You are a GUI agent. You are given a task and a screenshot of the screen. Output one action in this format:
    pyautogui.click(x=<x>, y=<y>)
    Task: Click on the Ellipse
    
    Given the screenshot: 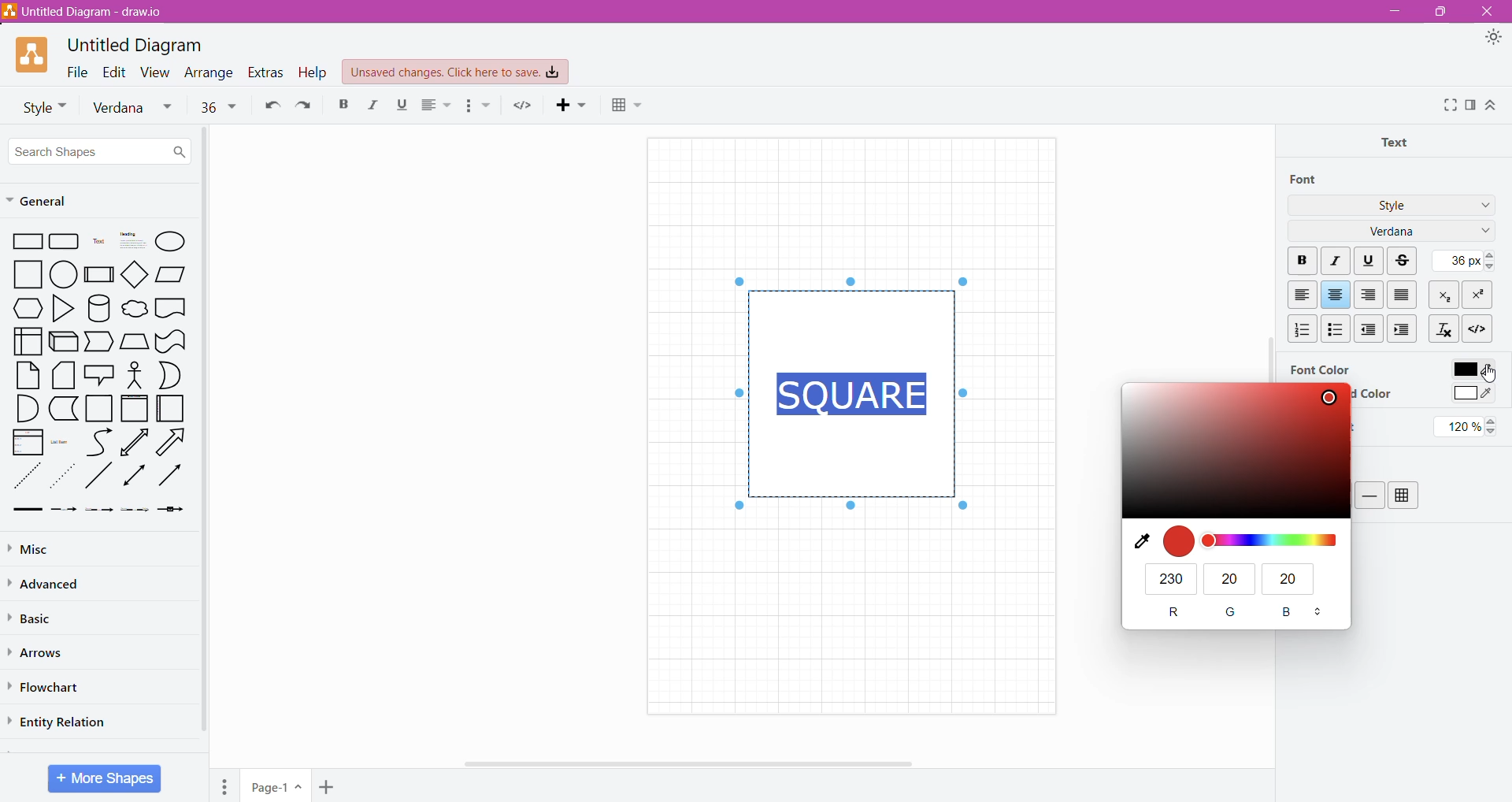 What is the action you would take?
    pyautogui.click(x=170, y=243)
    